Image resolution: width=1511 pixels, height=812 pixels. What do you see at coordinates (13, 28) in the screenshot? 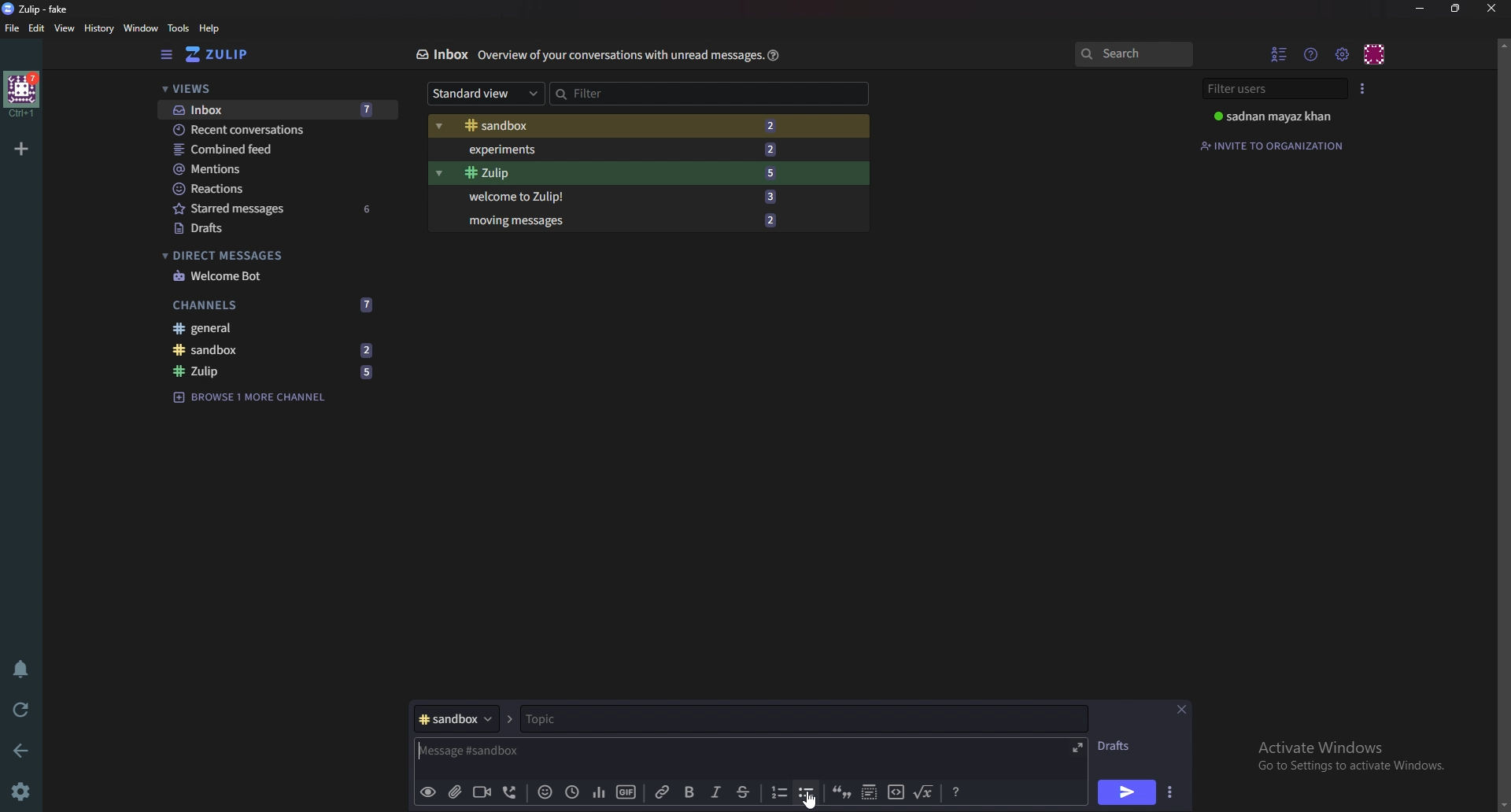
I see `File` at bounding box center [13, 28].